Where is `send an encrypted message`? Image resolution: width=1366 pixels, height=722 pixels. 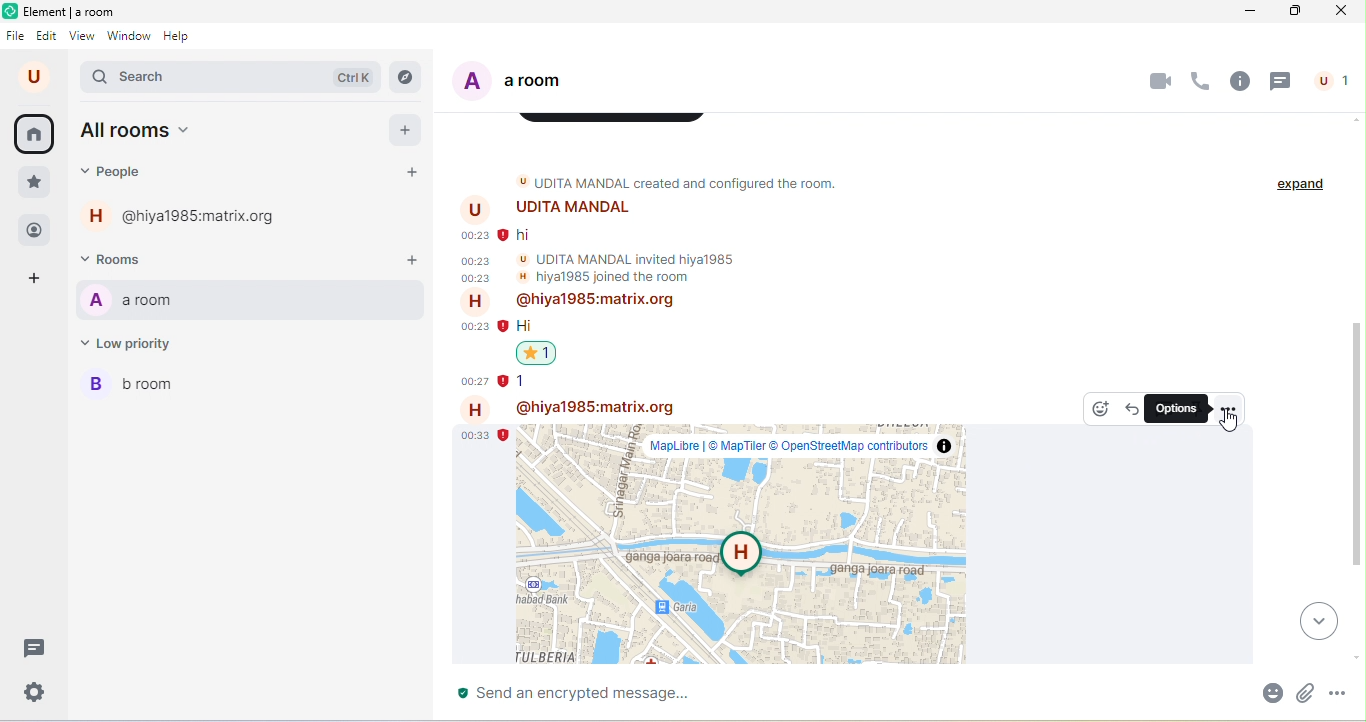 send an encrypted message is located at coordinates (844, 693).